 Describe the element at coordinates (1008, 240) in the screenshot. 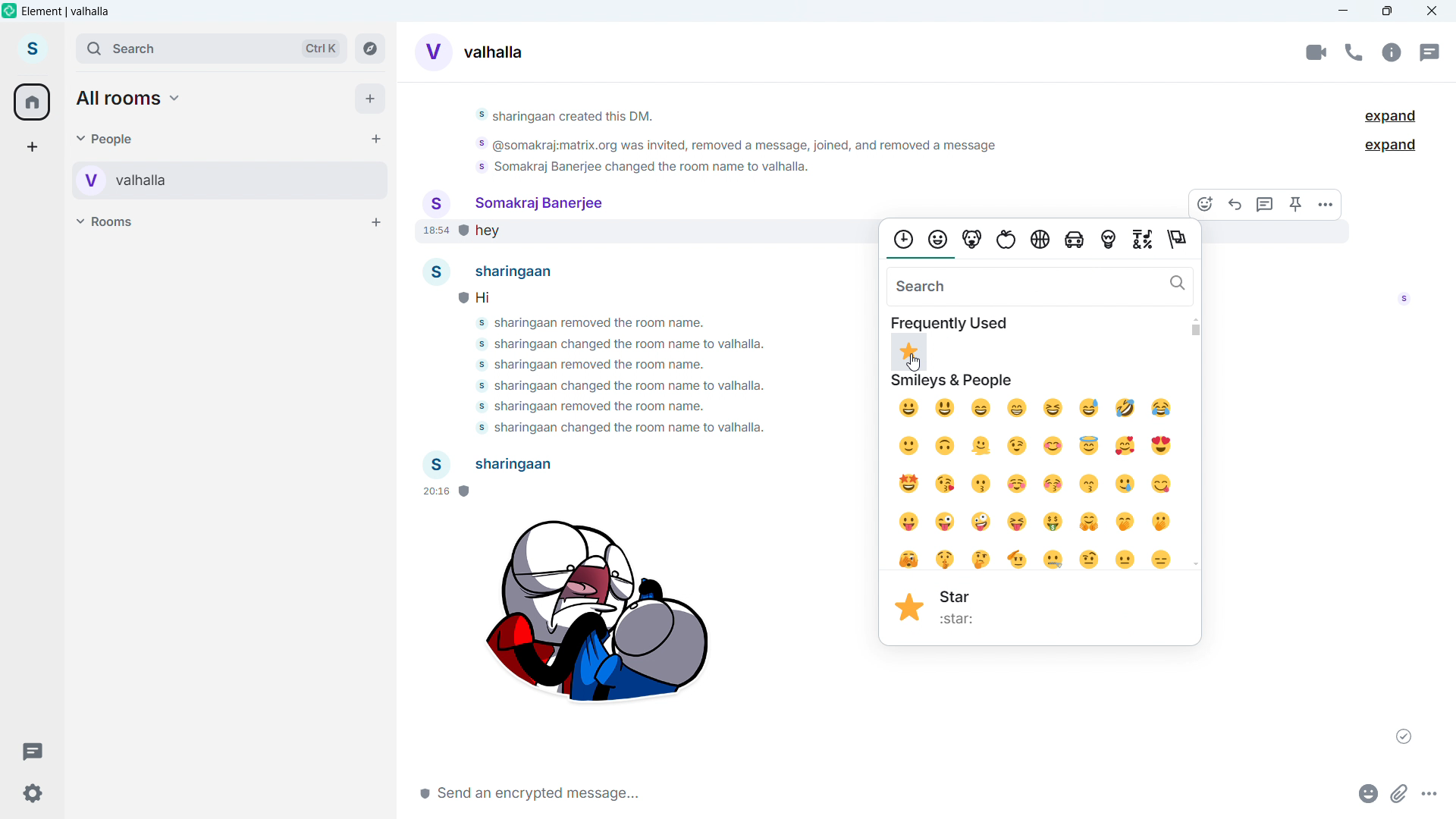

I see `food and drinks` at that location.